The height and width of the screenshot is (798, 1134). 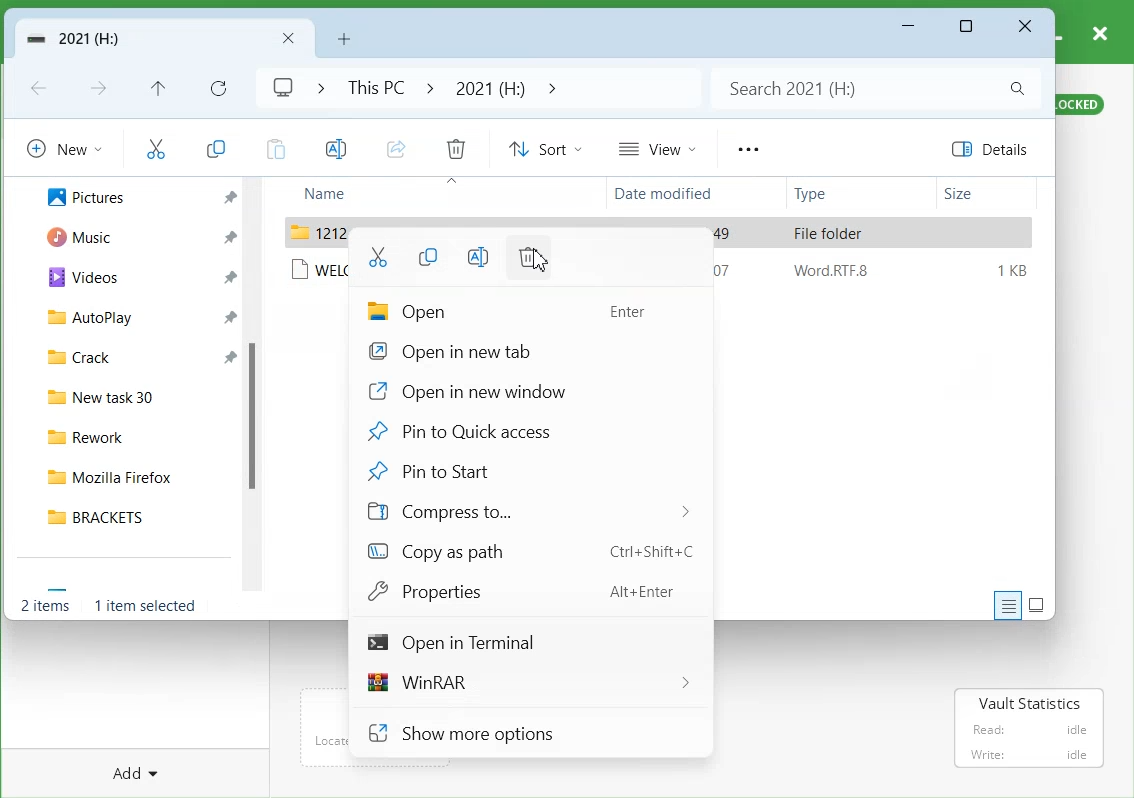 I want to click on Copy, so click(x=216, y=145).